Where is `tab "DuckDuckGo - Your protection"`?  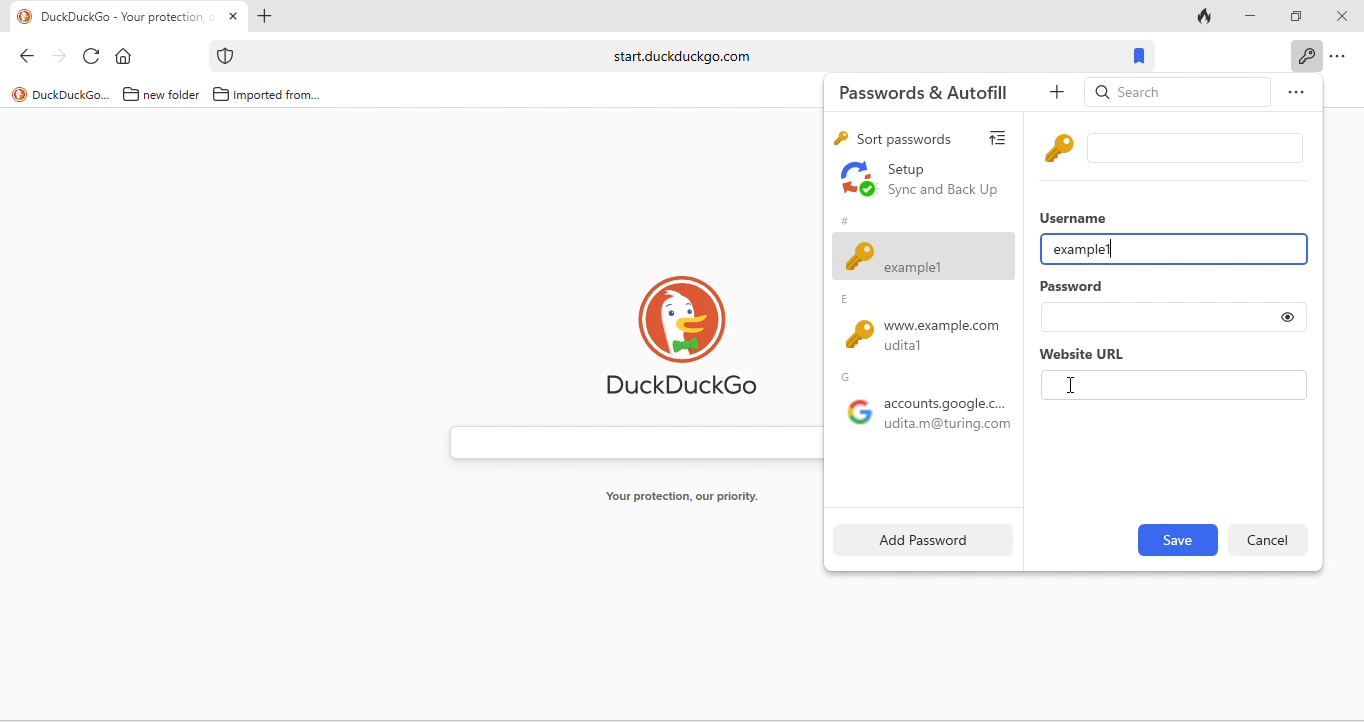
tab "DuckDuckGo - Your protection" is located at coordinates (129, 17).